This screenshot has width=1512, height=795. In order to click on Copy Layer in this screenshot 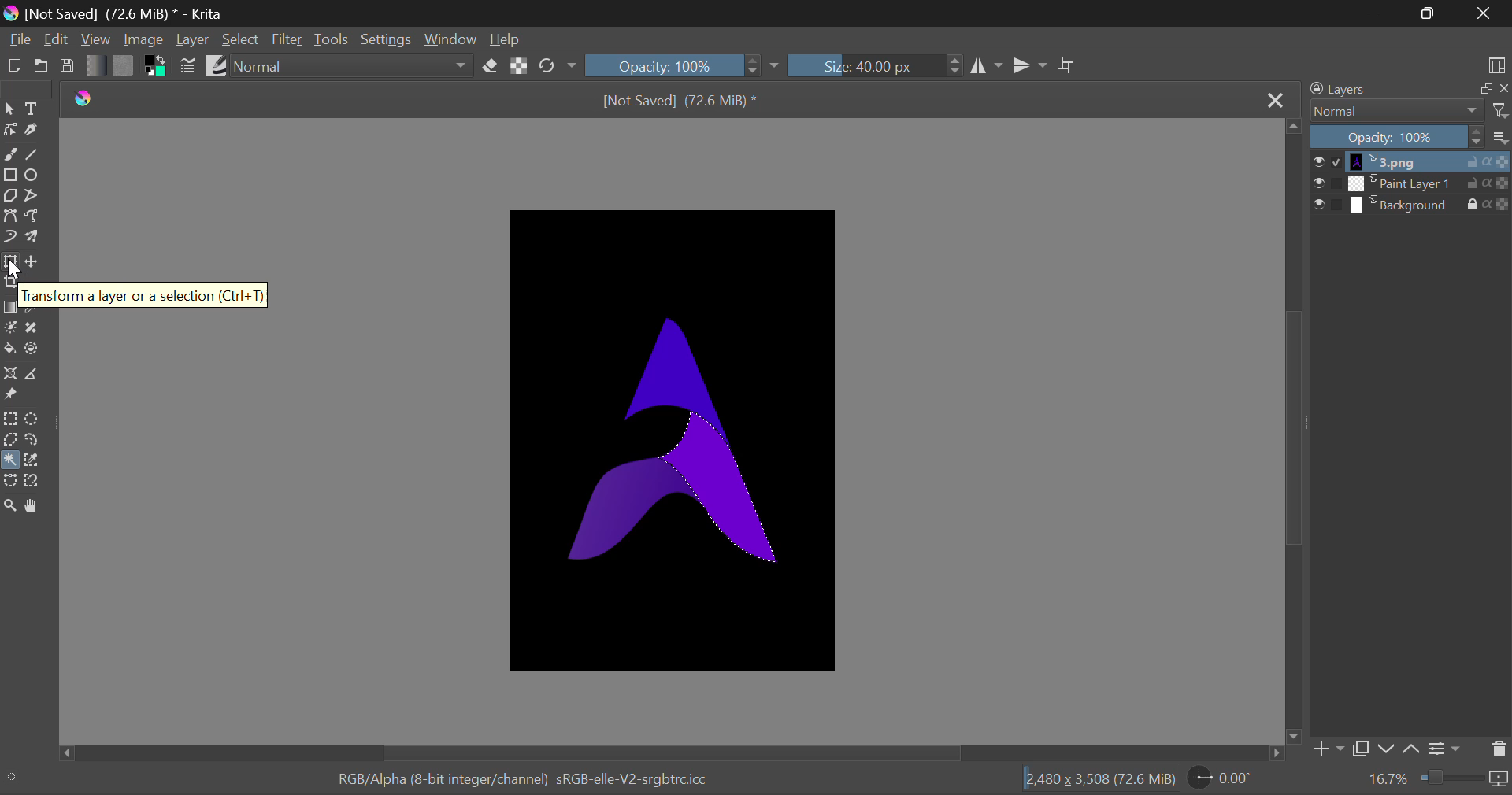, I will do `click(1362, 750)`.